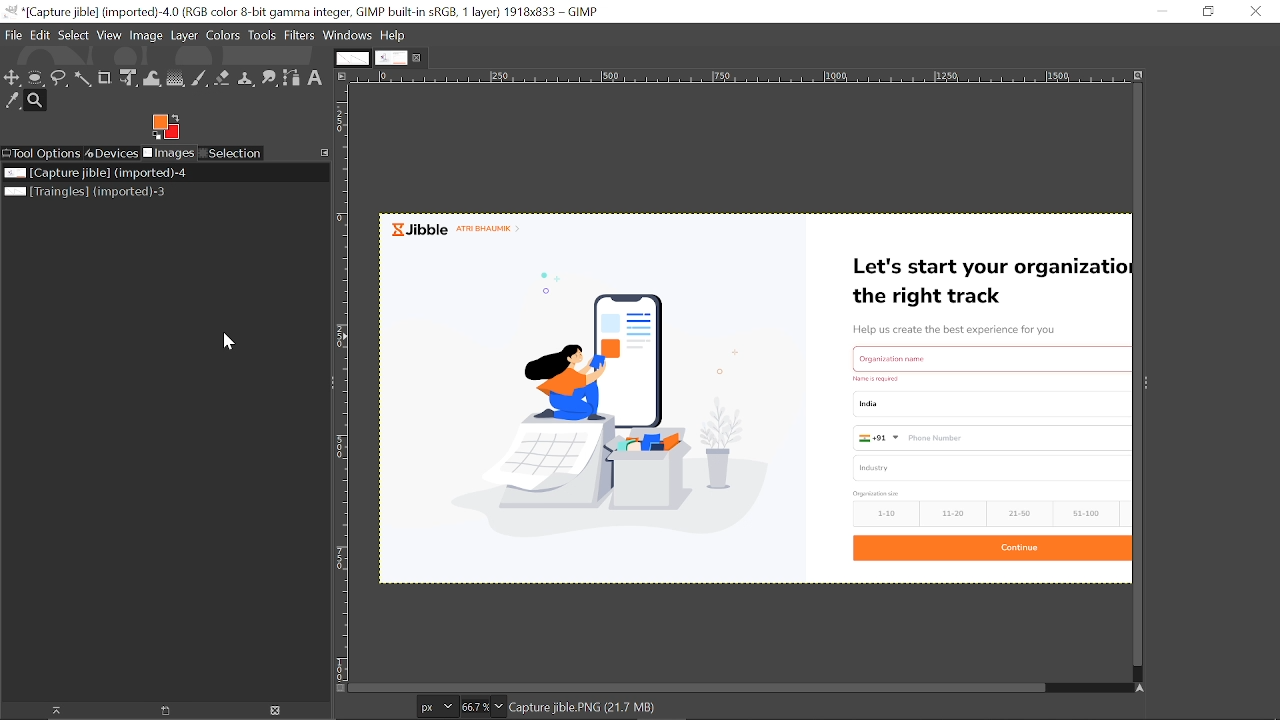 Image resolution: width=1280 pixels, height=720 pixels. I want to click on Horizontal ruler, so click(739, 76).